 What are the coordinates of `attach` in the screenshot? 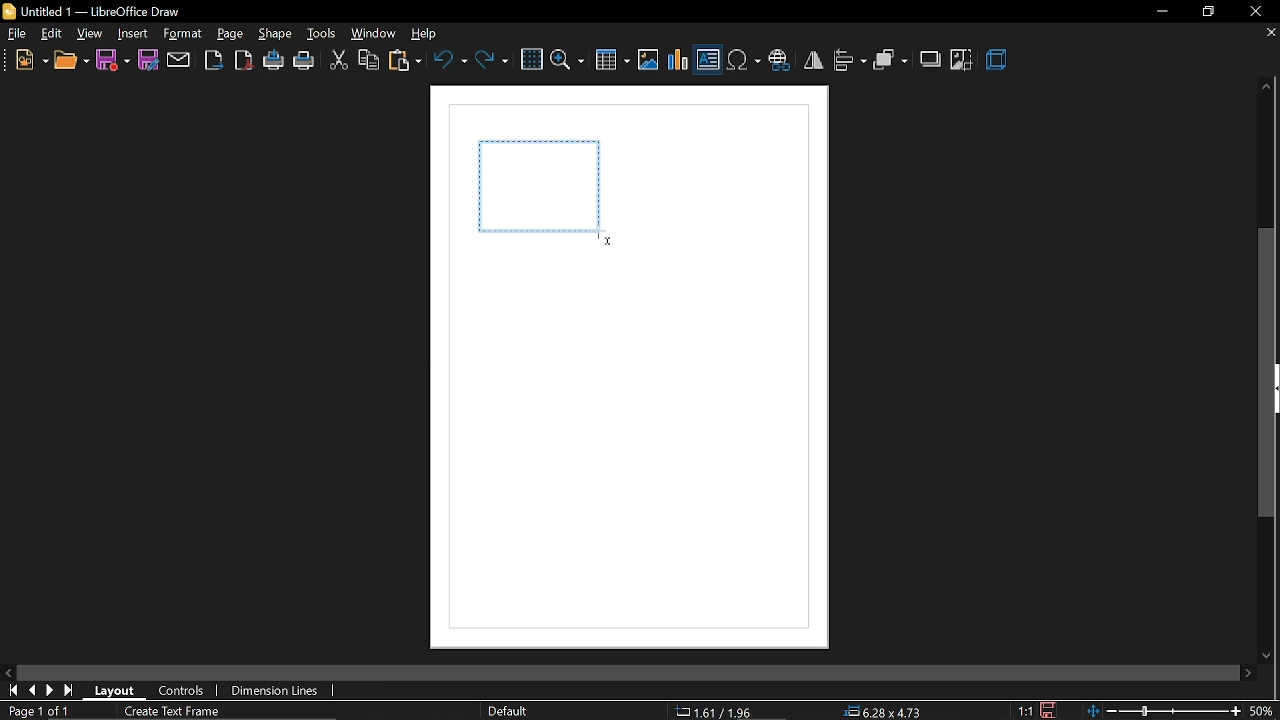 It's located at (179, 60).